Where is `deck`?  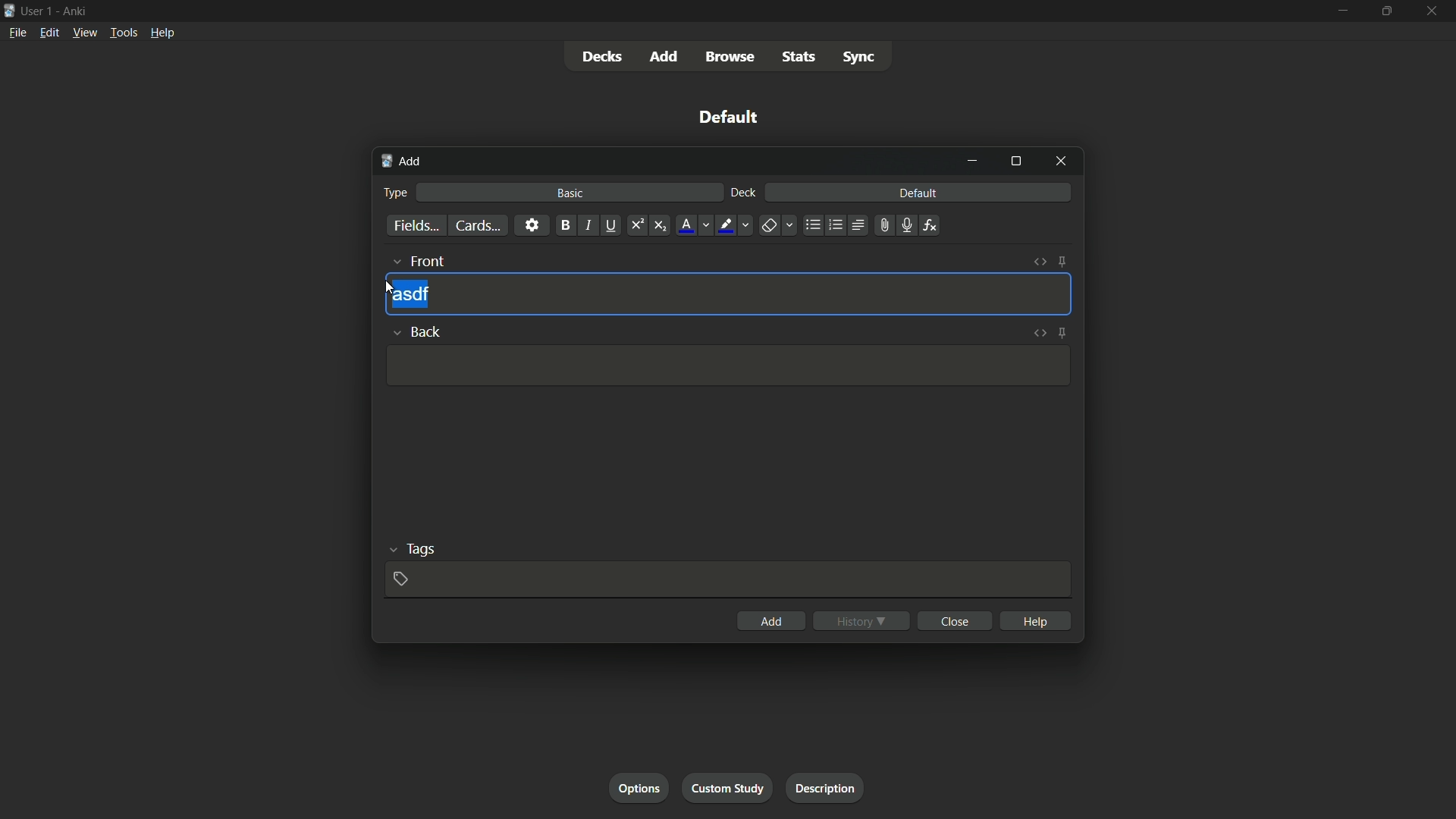 deck is located at coordinates (744, 193).